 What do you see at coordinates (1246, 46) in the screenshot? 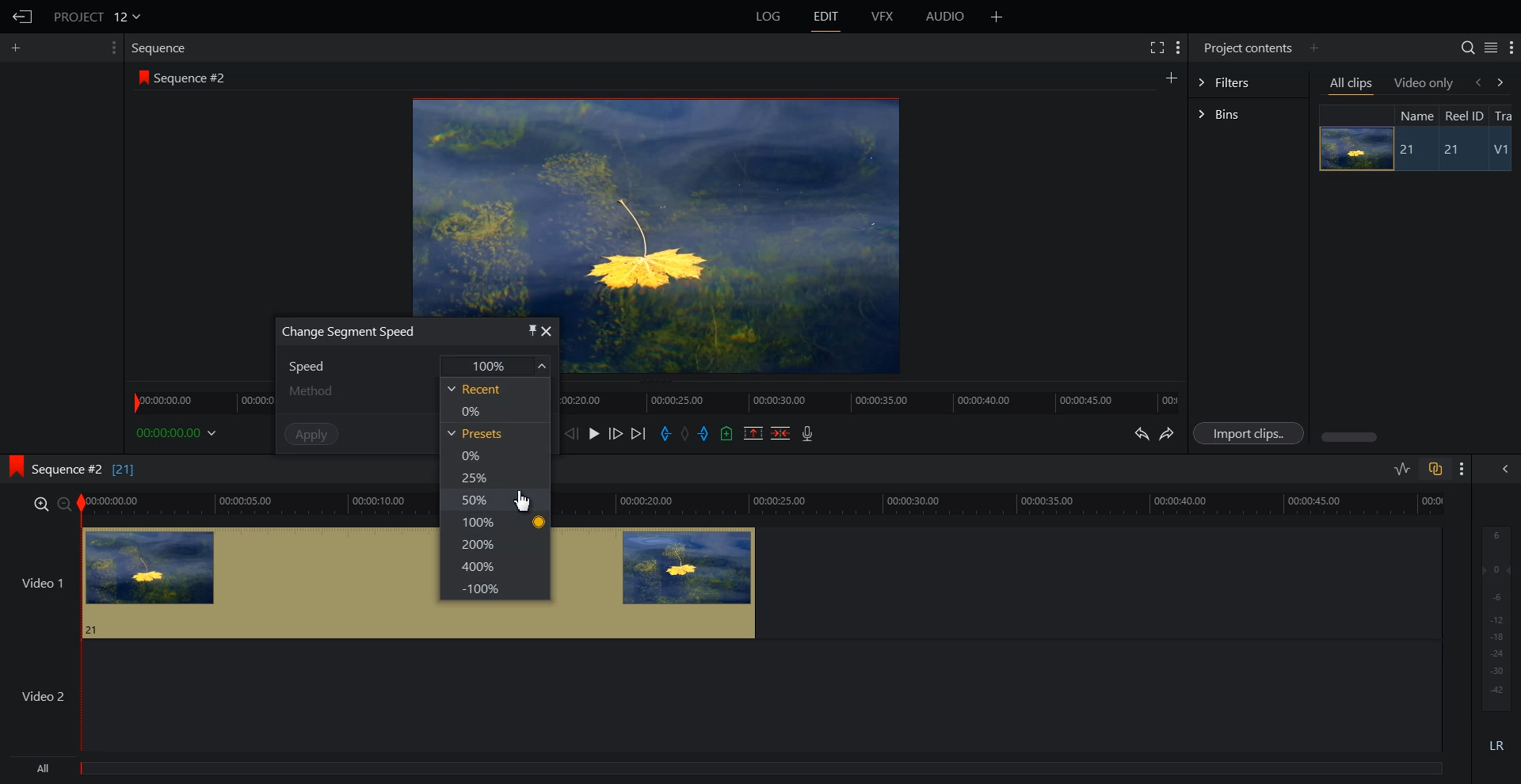
I see `Project contents` at bounding box center [1246, 46].